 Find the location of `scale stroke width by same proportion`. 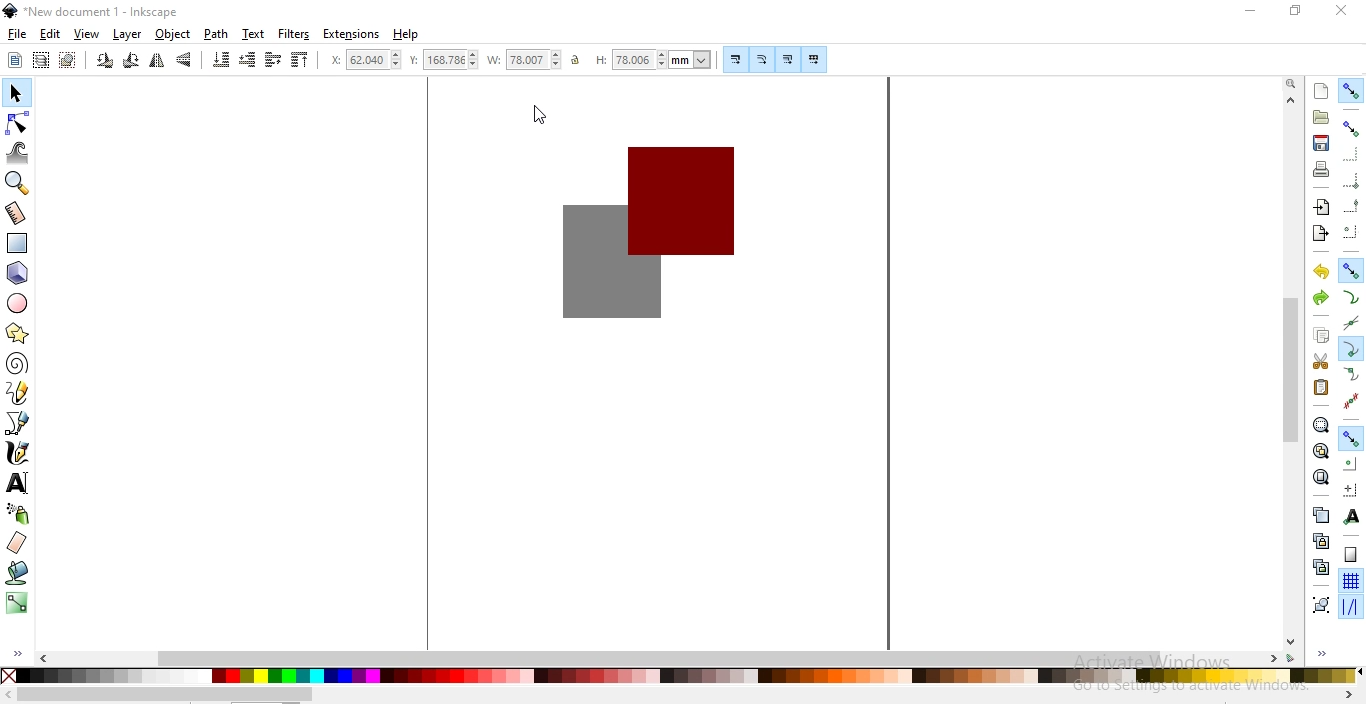

scale stroke width by same proportion is located at coordinates (733, 59).